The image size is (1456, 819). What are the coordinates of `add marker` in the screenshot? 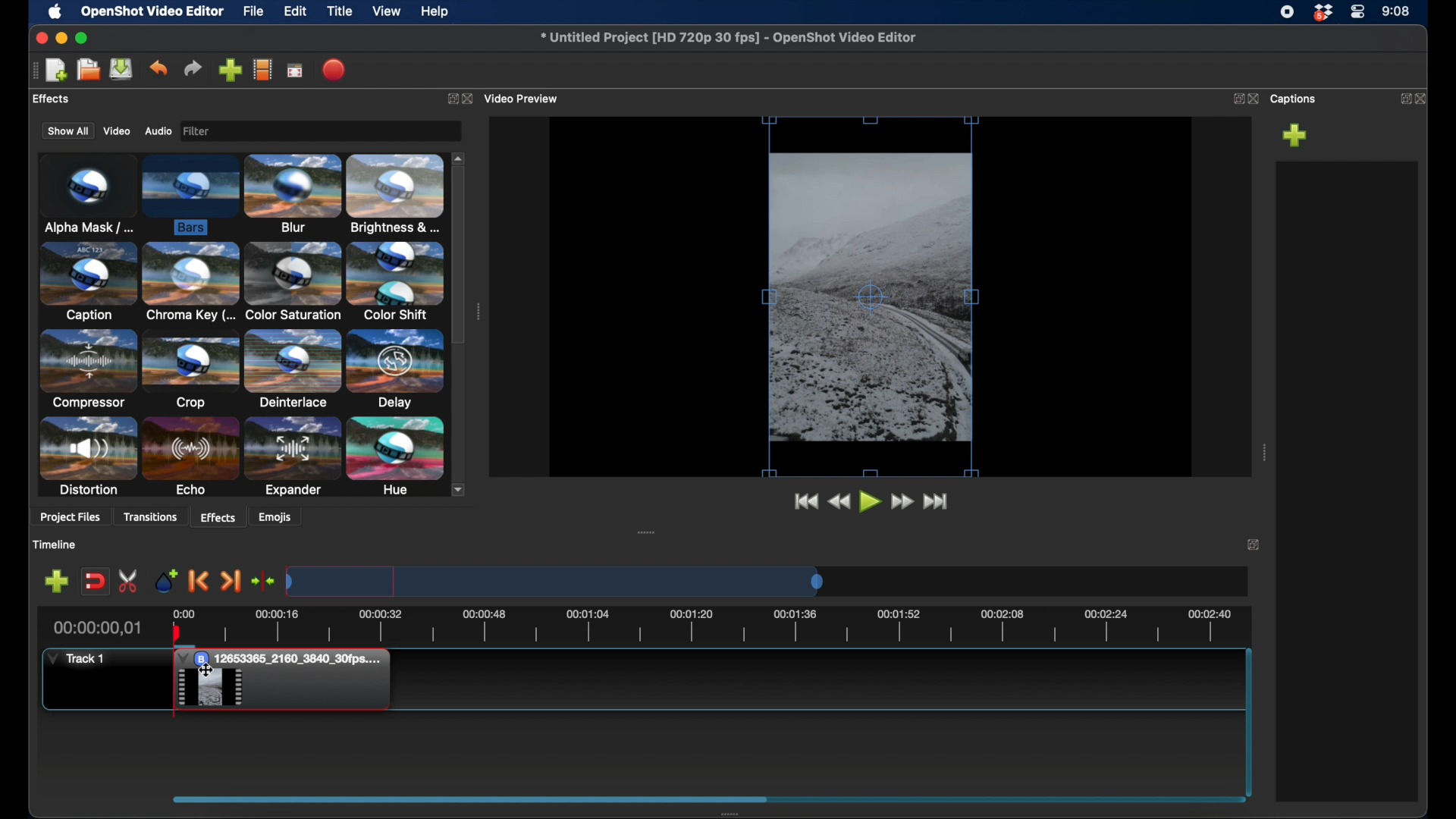 It's located at (168, 581).